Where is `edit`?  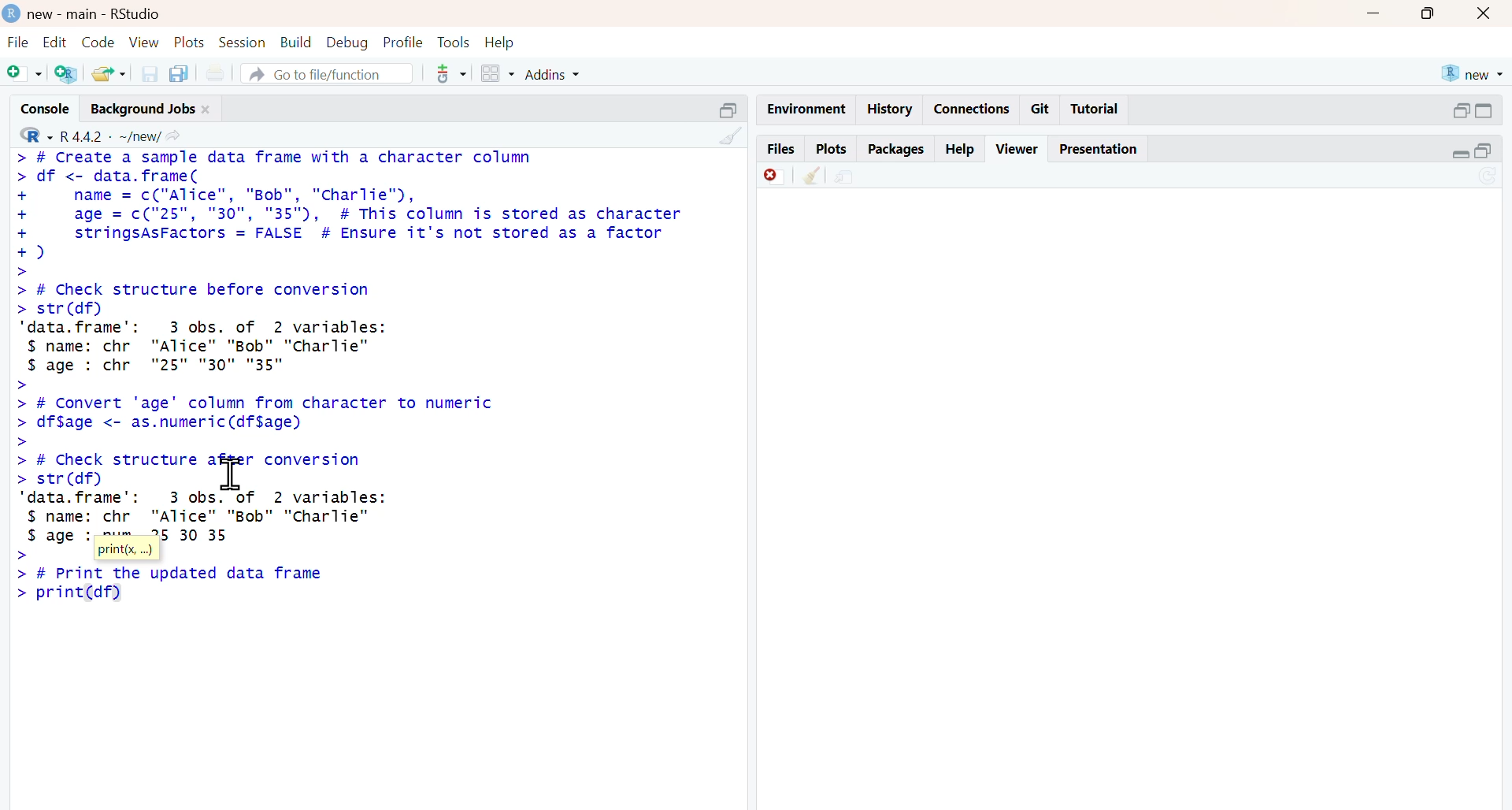 edit is located at coordinates (55, 43).